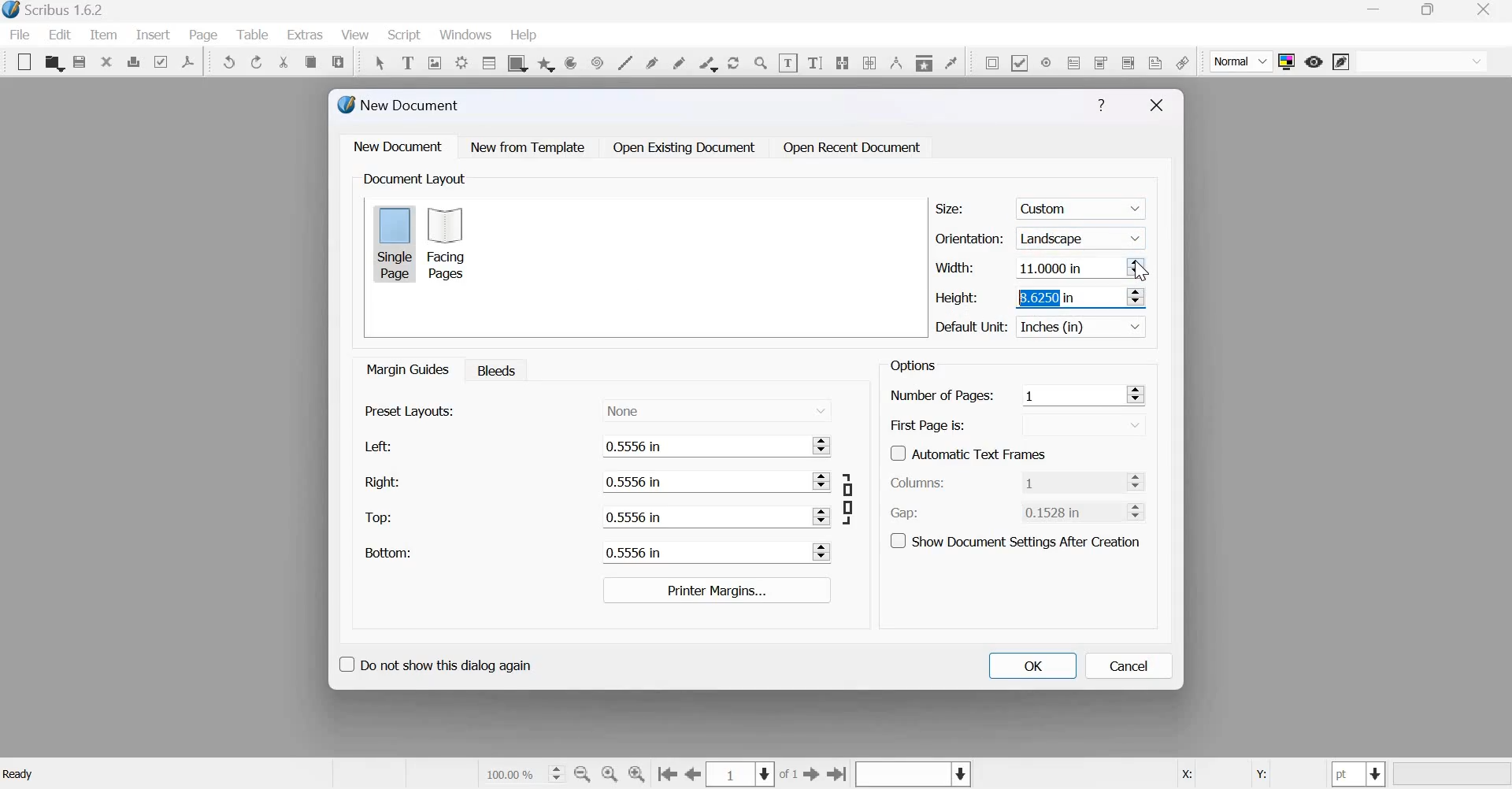 Image resolution: width=1512 pixels, height=789 pixels. Describe the element at coordinates (595, 61) in the screenshot. I see `spiral` at that location.